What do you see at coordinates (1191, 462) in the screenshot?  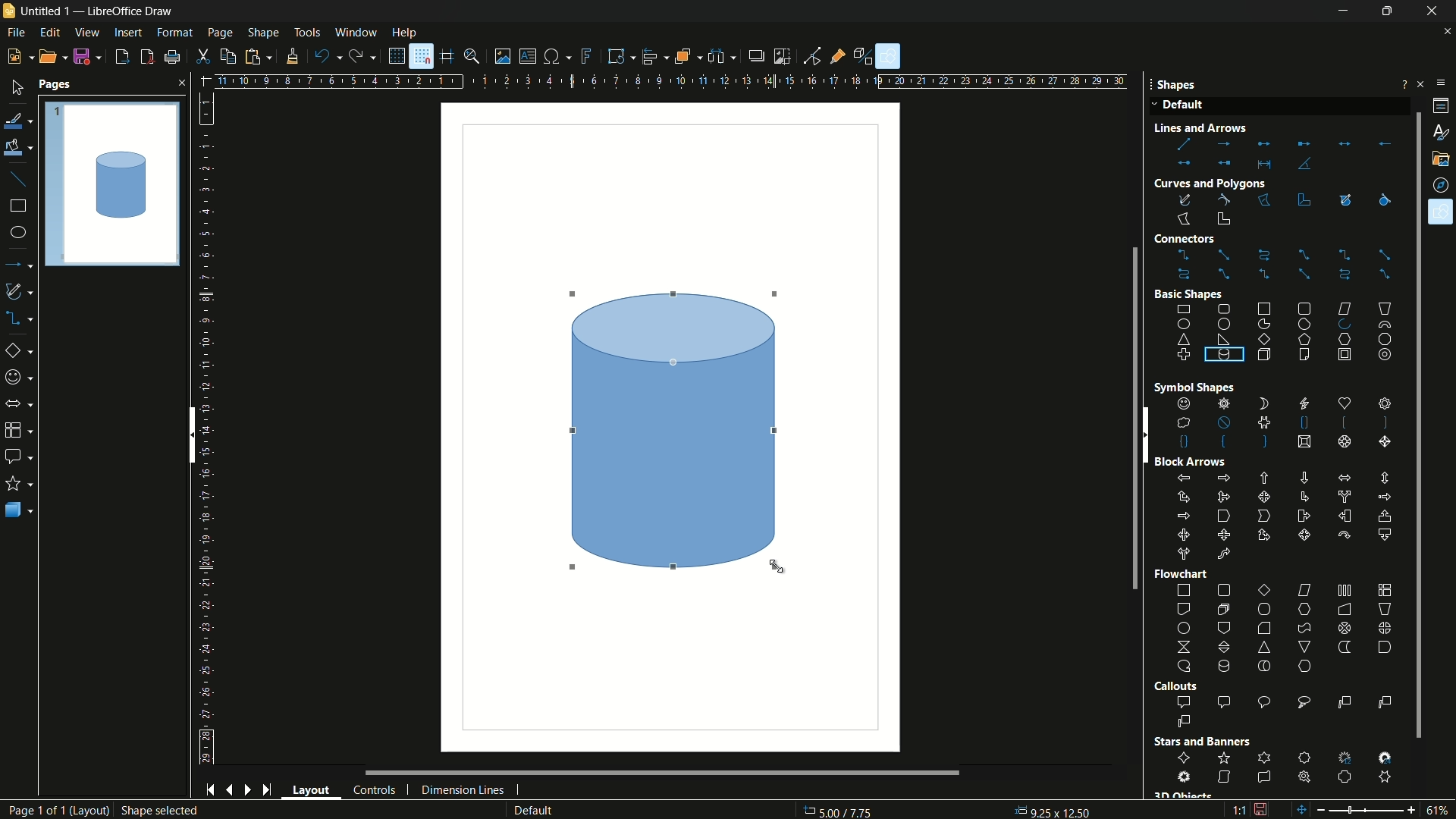 I see `Block Arrows` at bounding box center [1191, 462].